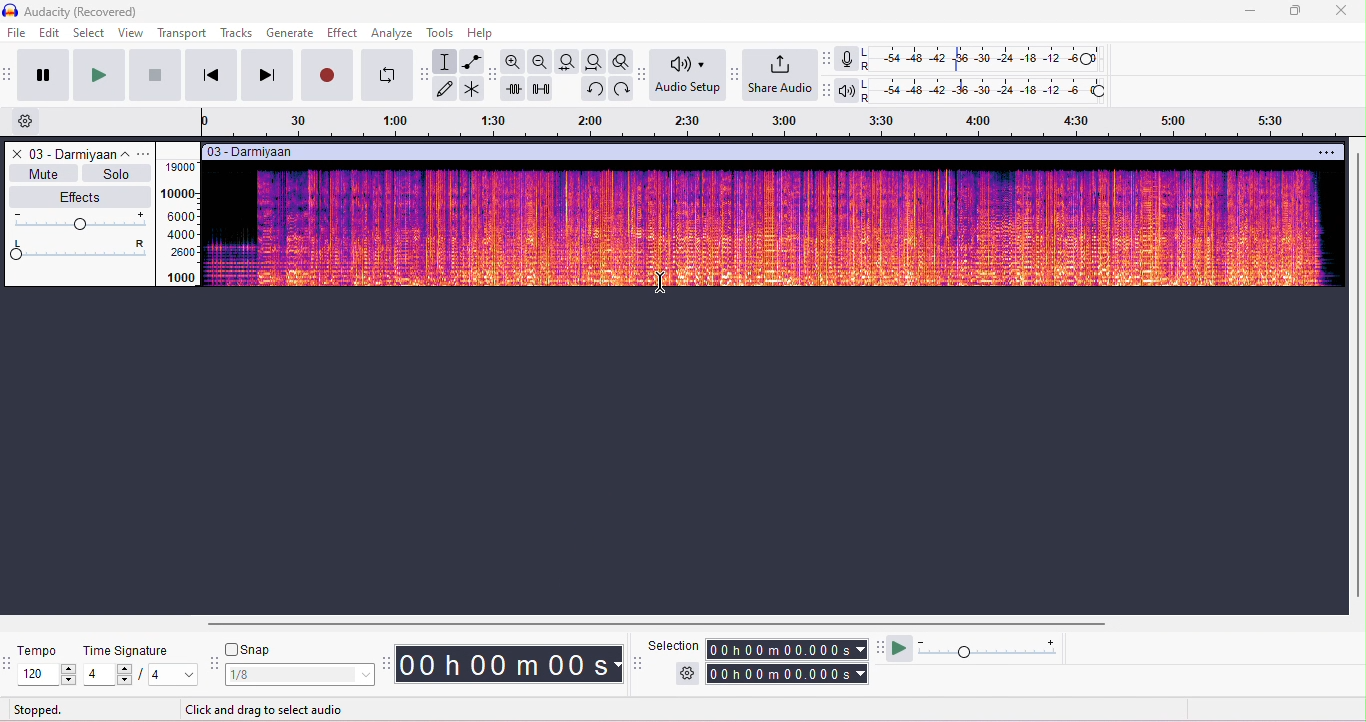 The width and height of the screenshot is (1366, 722). What do you see at coordinates (515, 62) in the screenshot?
I see `zoom in` at bounding box center [515, 62].